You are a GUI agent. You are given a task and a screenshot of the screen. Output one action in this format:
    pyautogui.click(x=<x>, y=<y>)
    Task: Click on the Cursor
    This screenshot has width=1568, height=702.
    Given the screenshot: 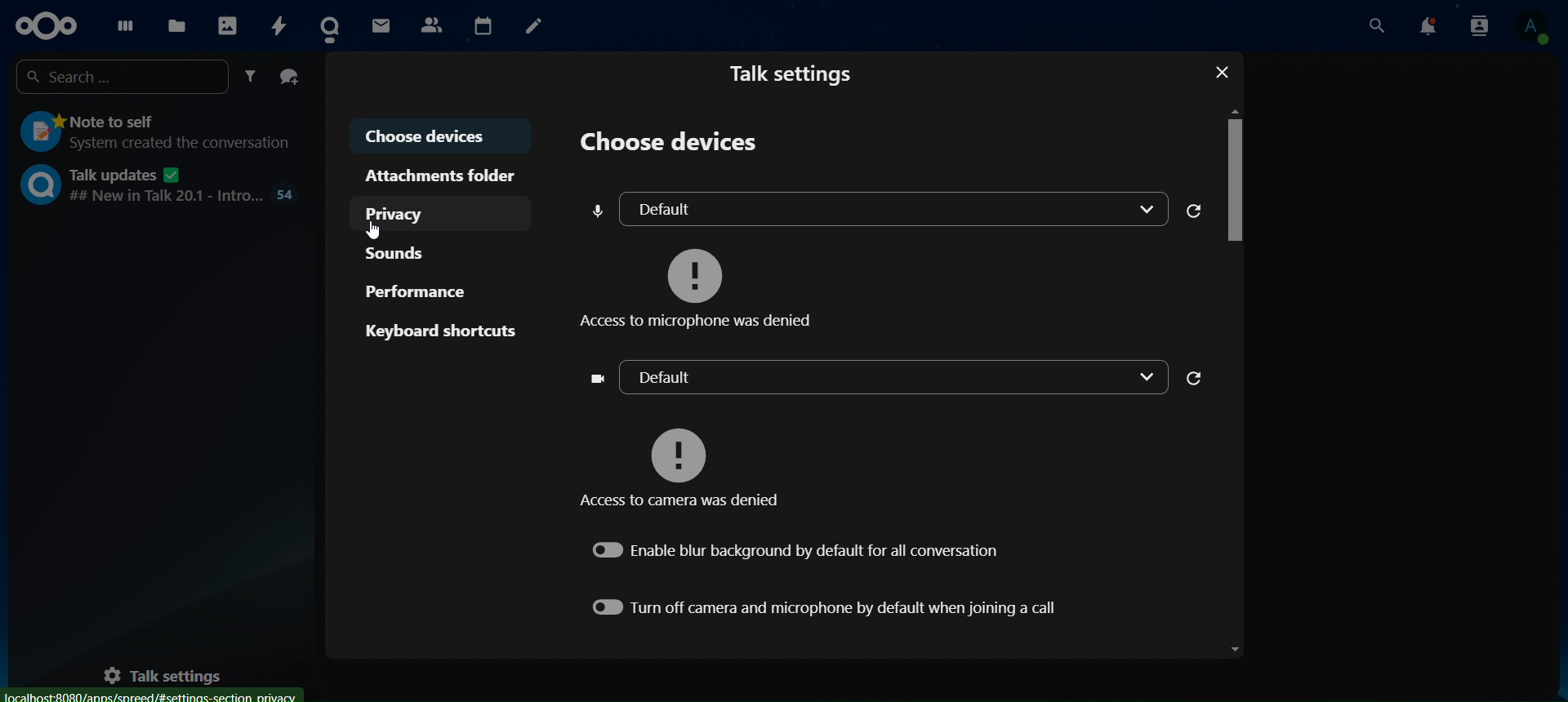 What is the action you would take?
    pyautogui.click(x=372, y=232)
    